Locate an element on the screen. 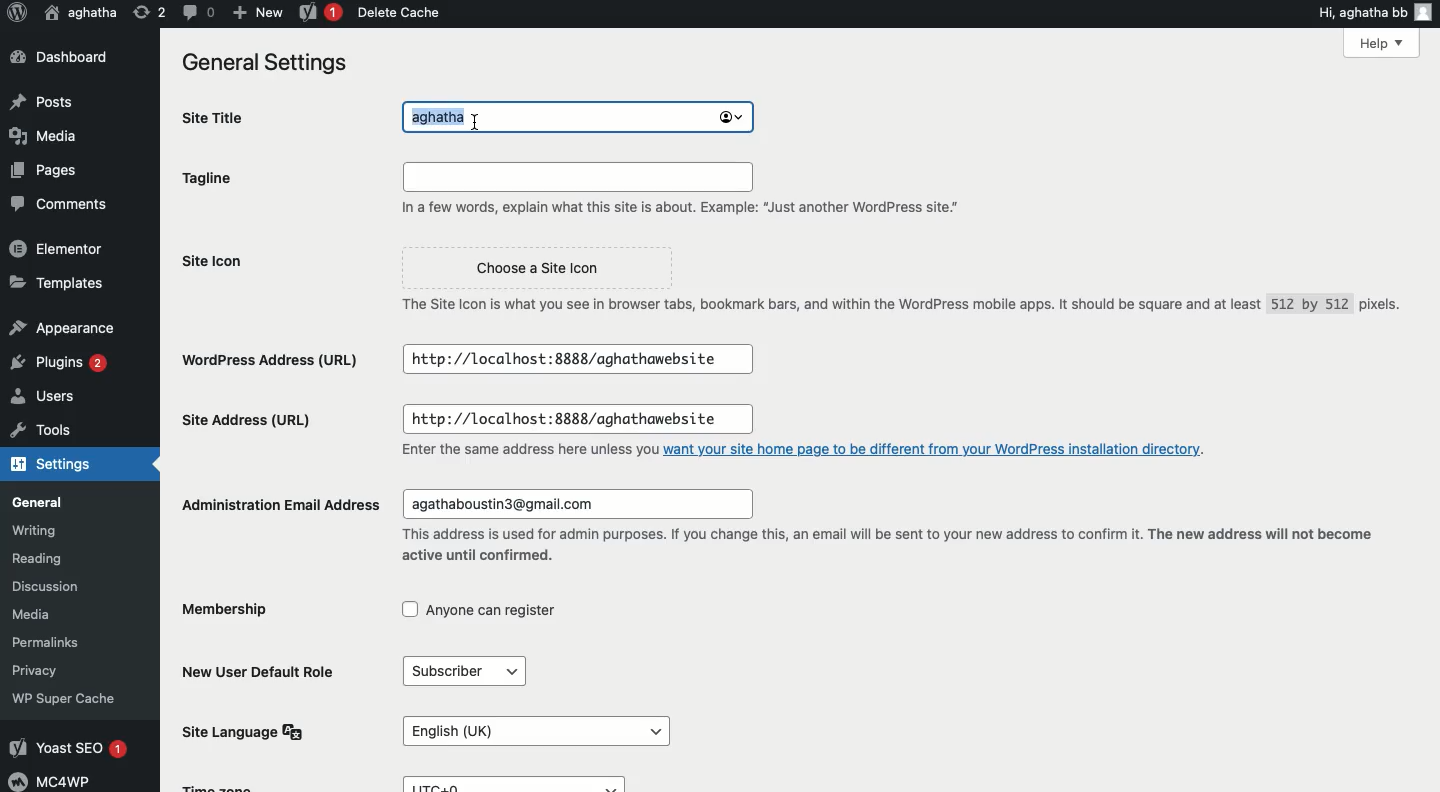 Image resolution: width=1440 pixels, height=792 pixels. Administration email address is located at coordinates (278, 501).